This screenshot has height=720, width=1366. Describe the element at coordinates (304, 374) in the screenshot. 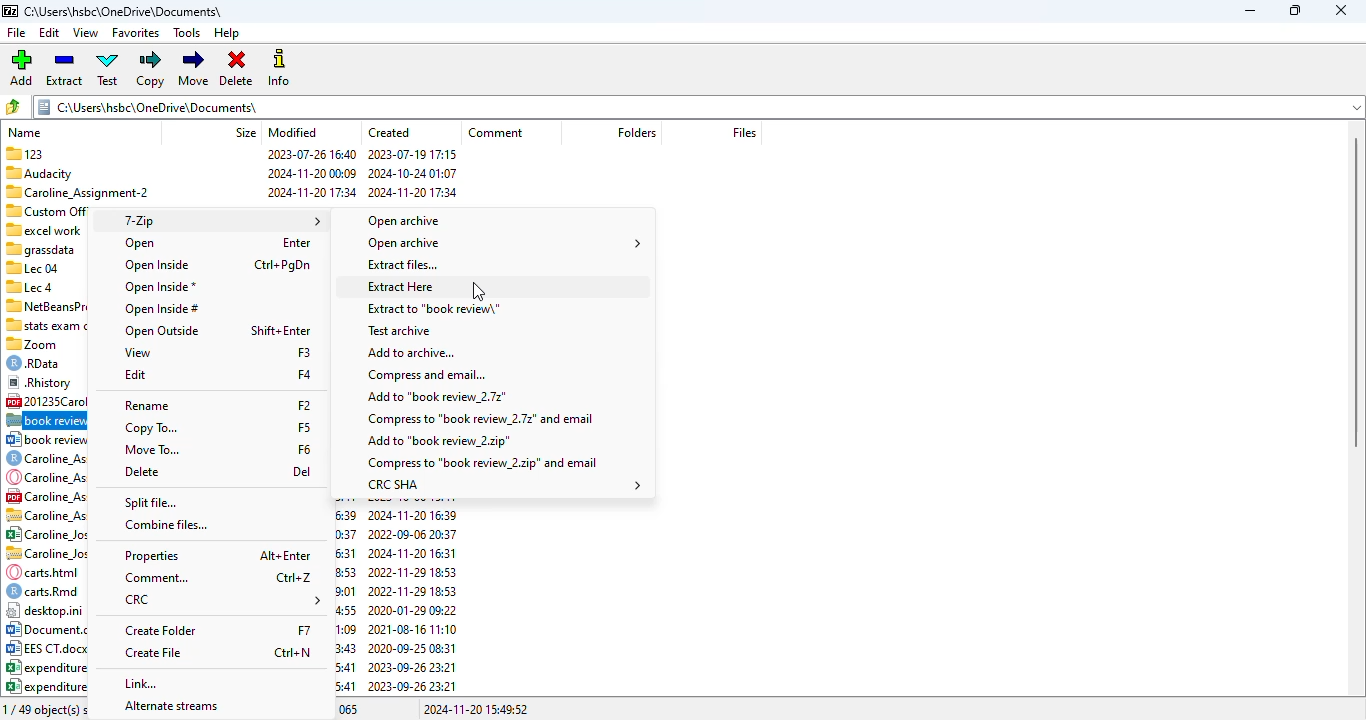

I see `shortcut for edit` at that location.